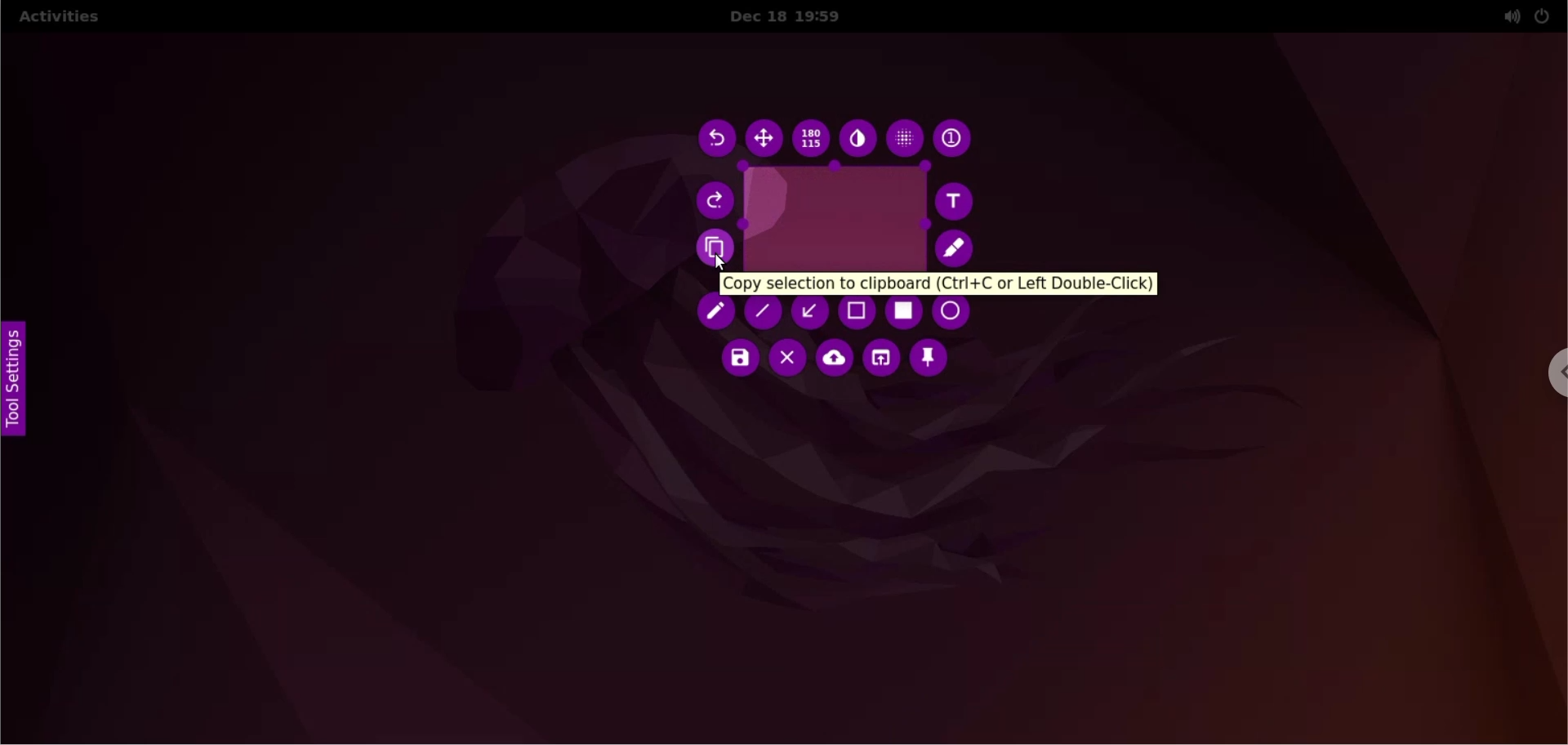  I want to click on chrome options, so click(1555, 377).